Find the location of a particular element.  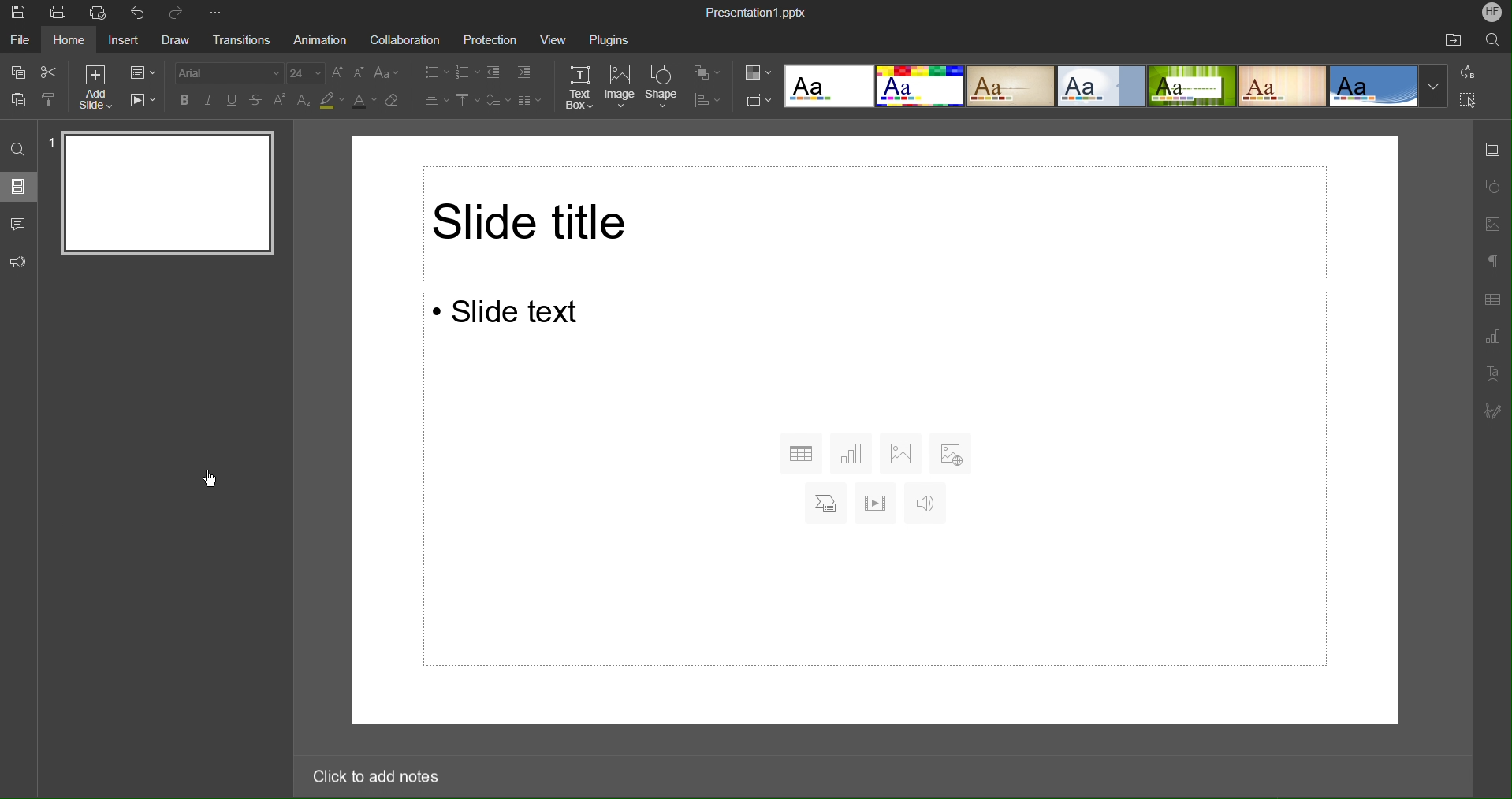

font color is located at coordinates (365, 102).